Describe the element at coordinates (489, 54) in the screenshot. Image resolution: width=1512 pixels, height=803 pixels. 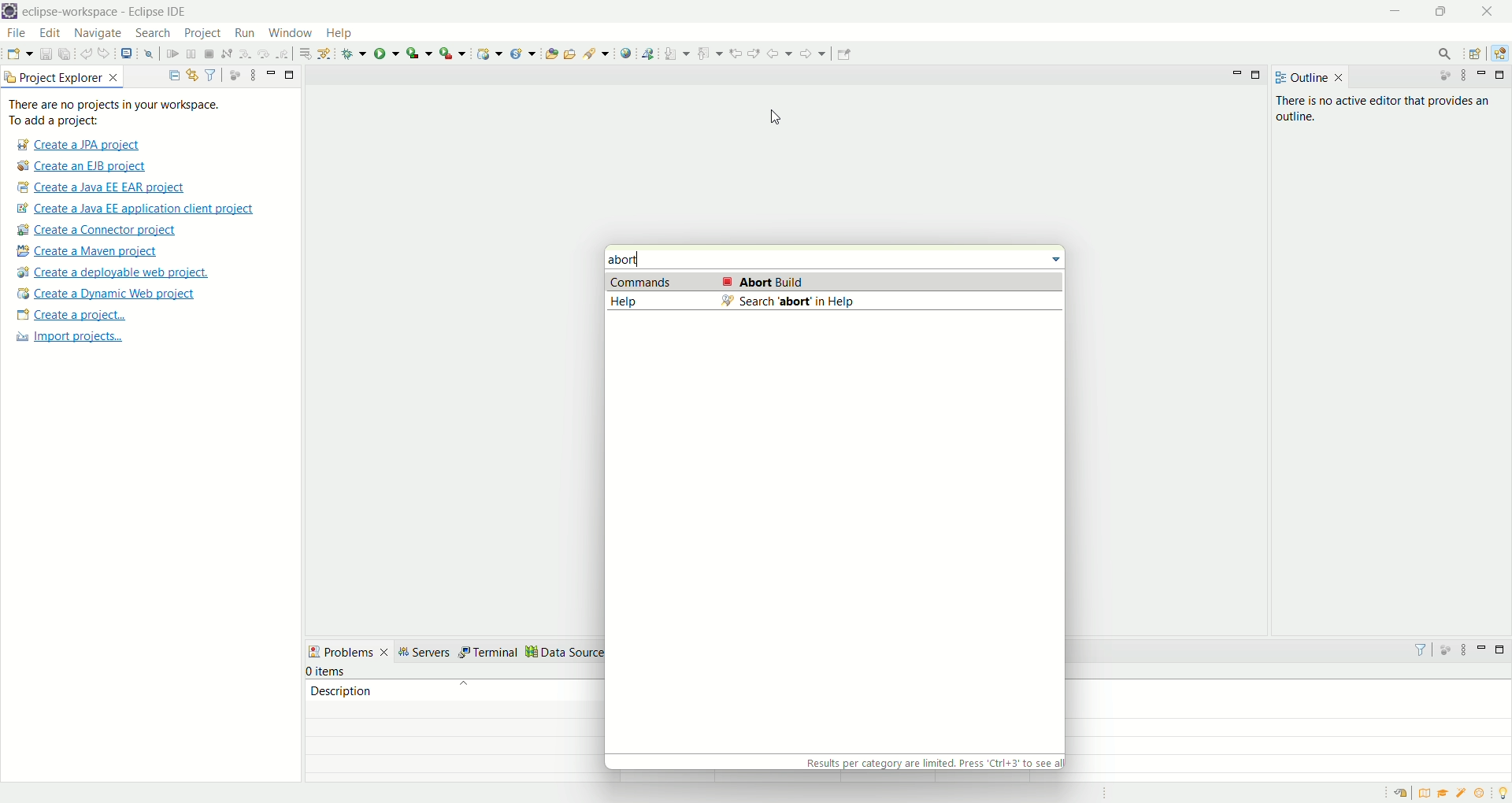
I see `create a dynamic web project` at that location.